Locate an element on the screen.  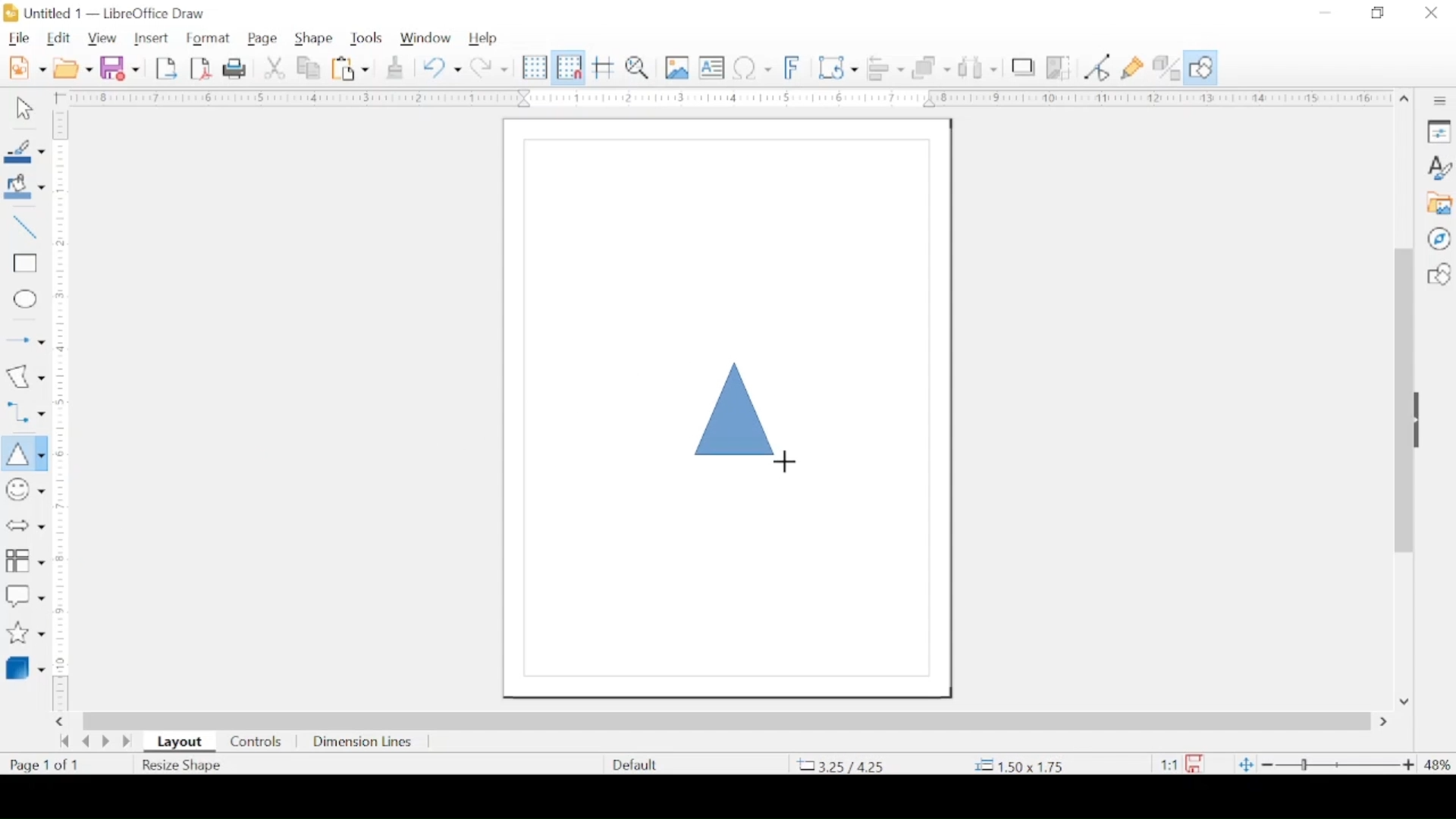
next page is located at coordinates (105, 743).